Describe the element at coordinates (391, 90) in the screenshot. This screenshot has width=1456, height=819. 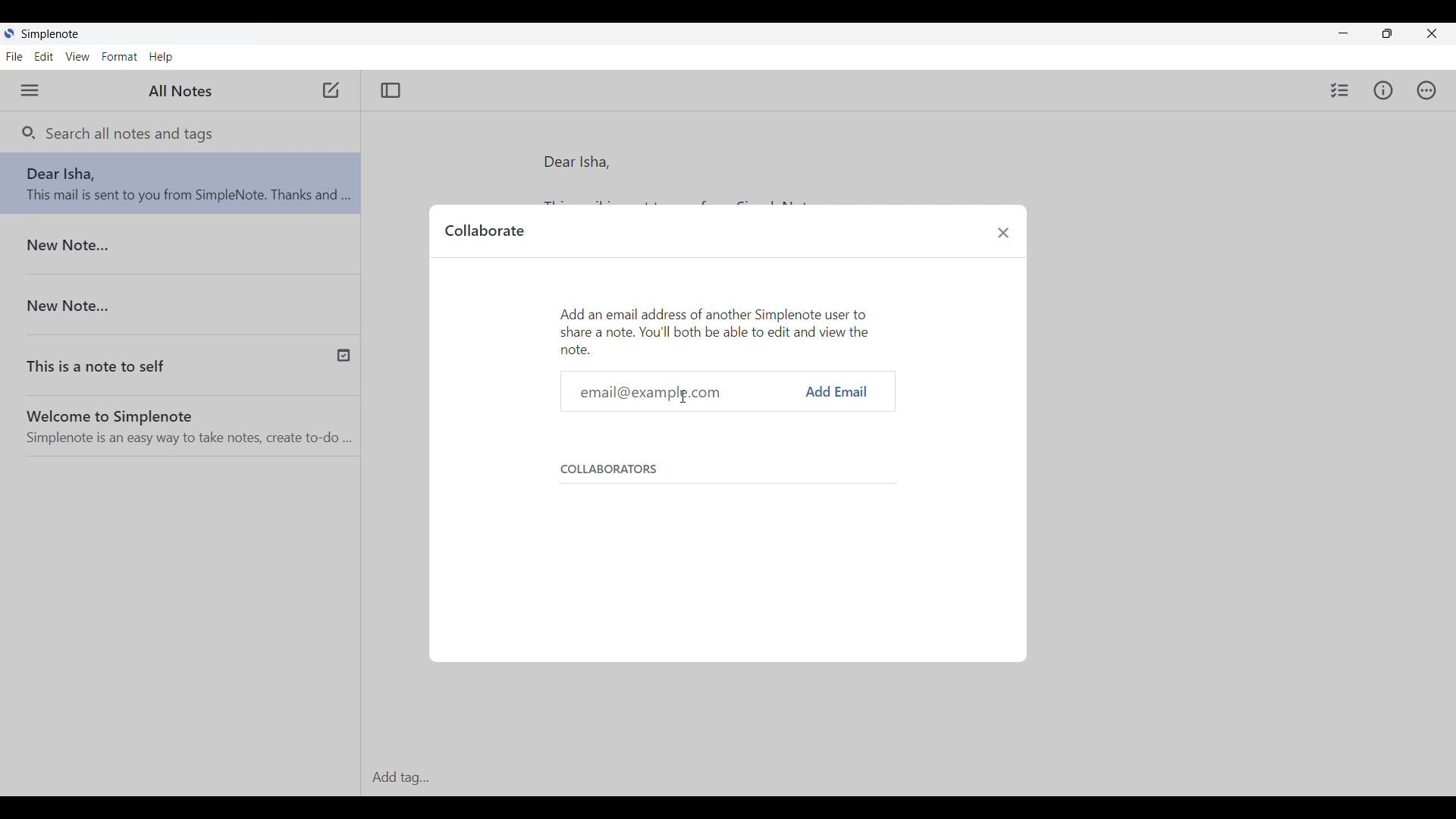
I see `Toggle focus mode` at that location.